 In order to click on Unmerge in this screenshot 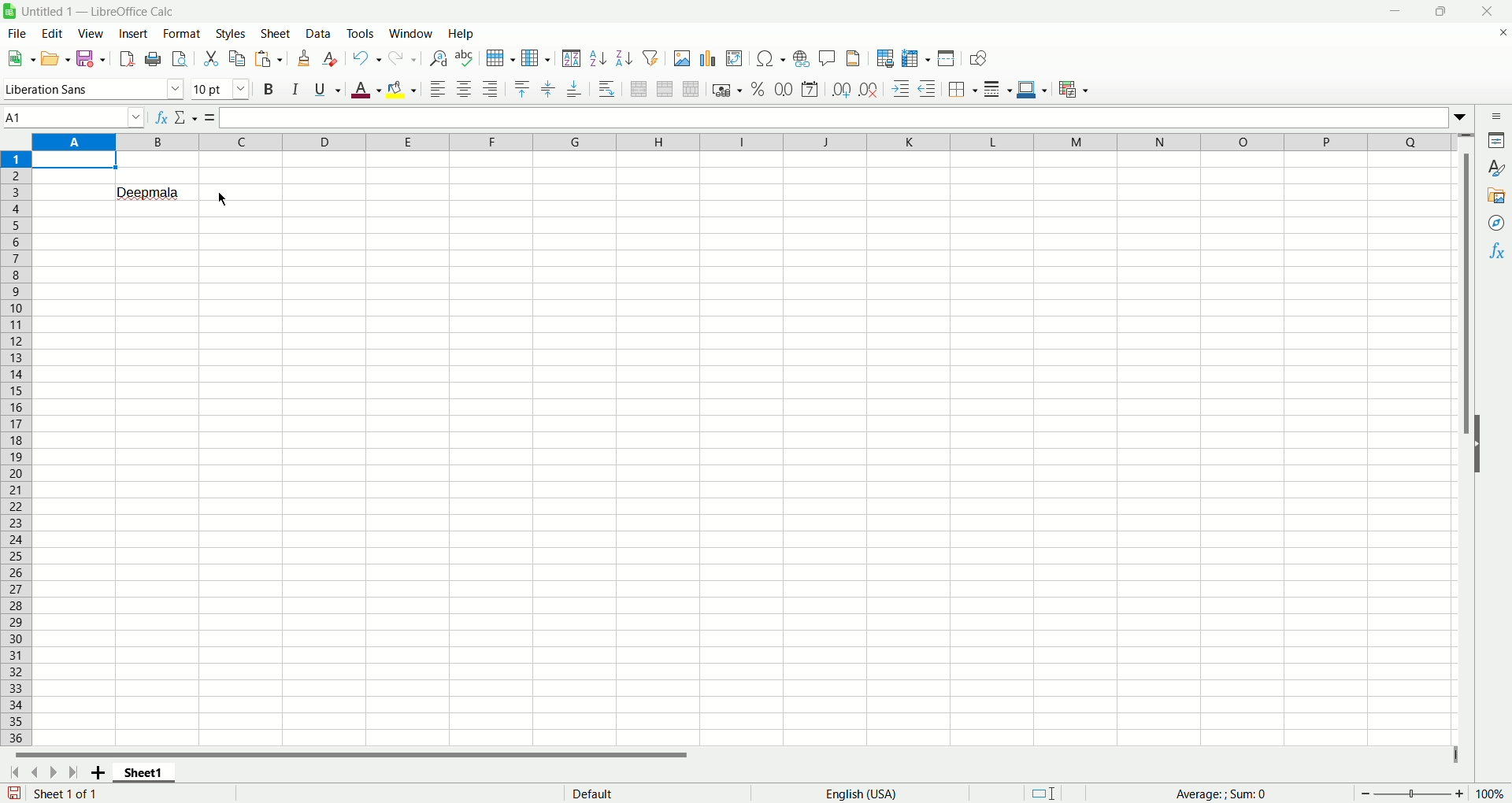, I will do `click(692, 89)`.